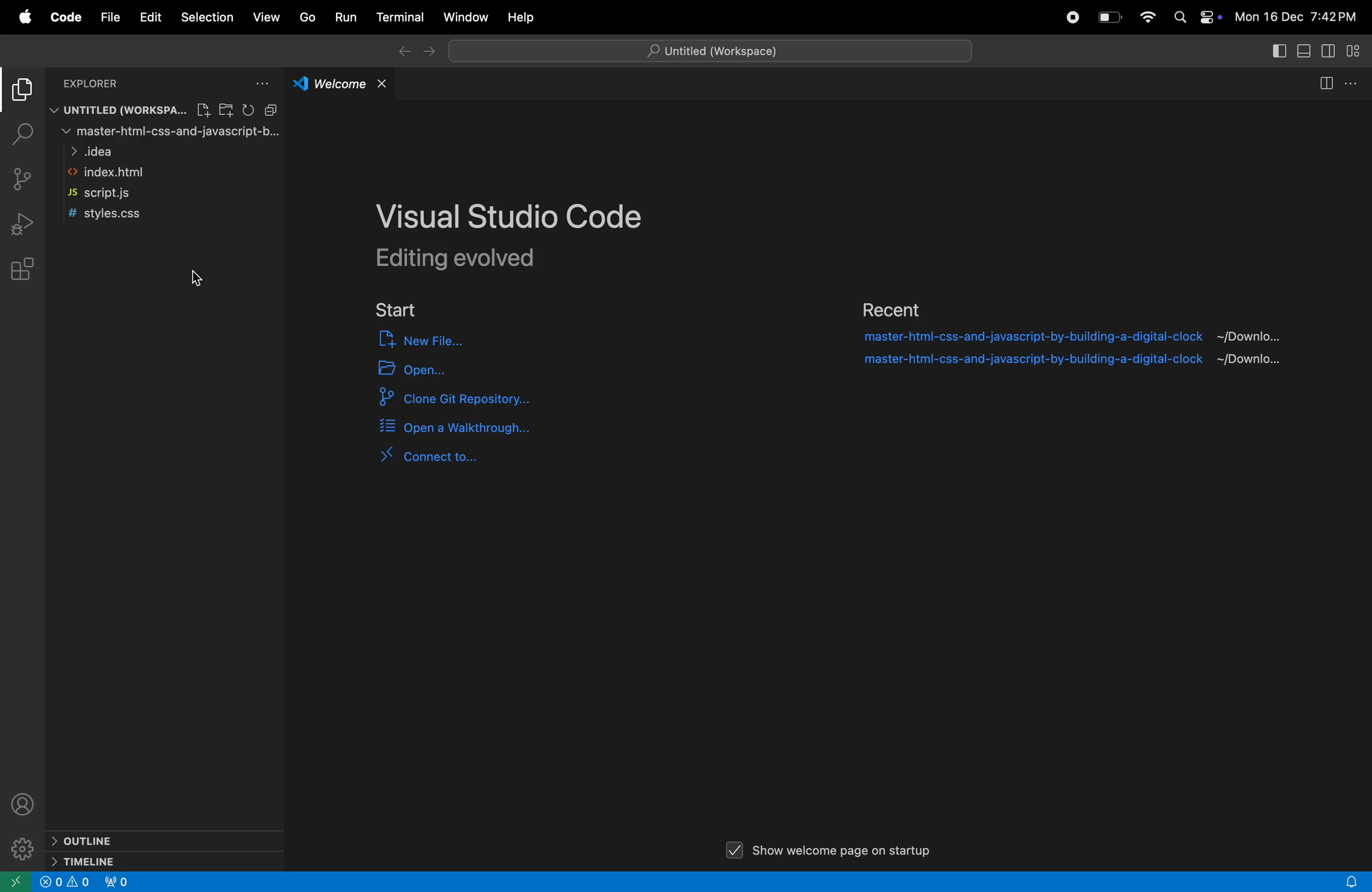  I want to click on Welcome, so click(341, 85).